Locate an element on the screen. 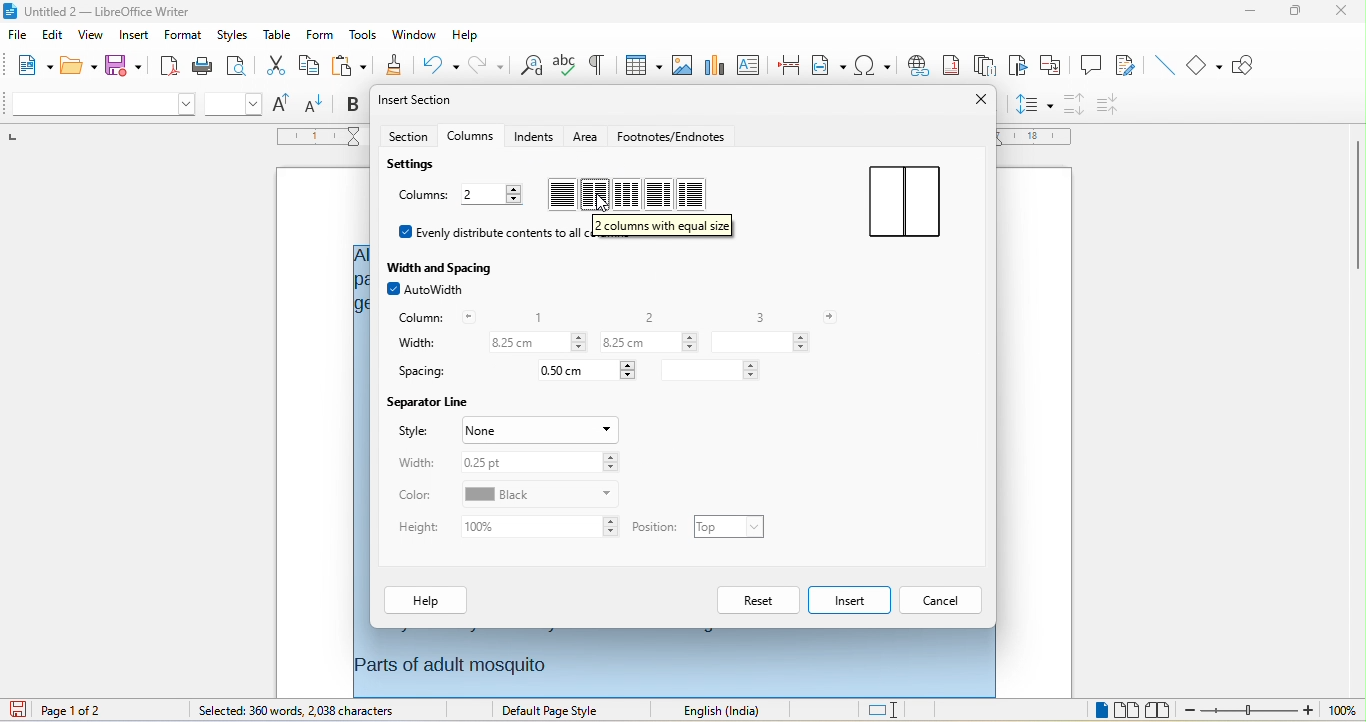  chart is located at coordinates (715, 64).